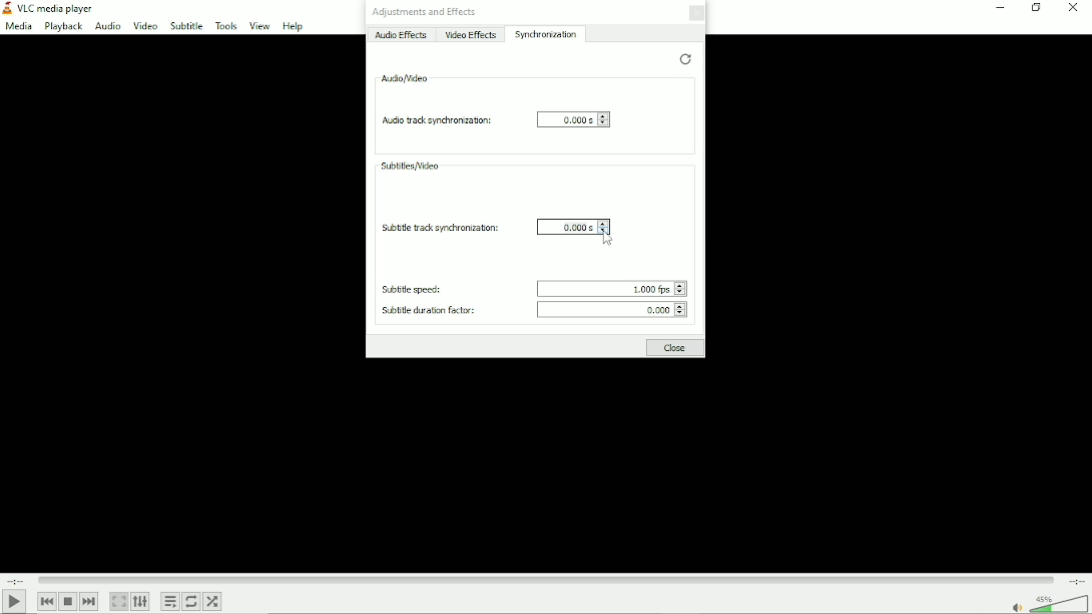 This screenshot has width=1092, height=614. What do you see at coordinates (1046, 603) in the screenshot?
I see `Volume` at bounding box center [1046, 603].